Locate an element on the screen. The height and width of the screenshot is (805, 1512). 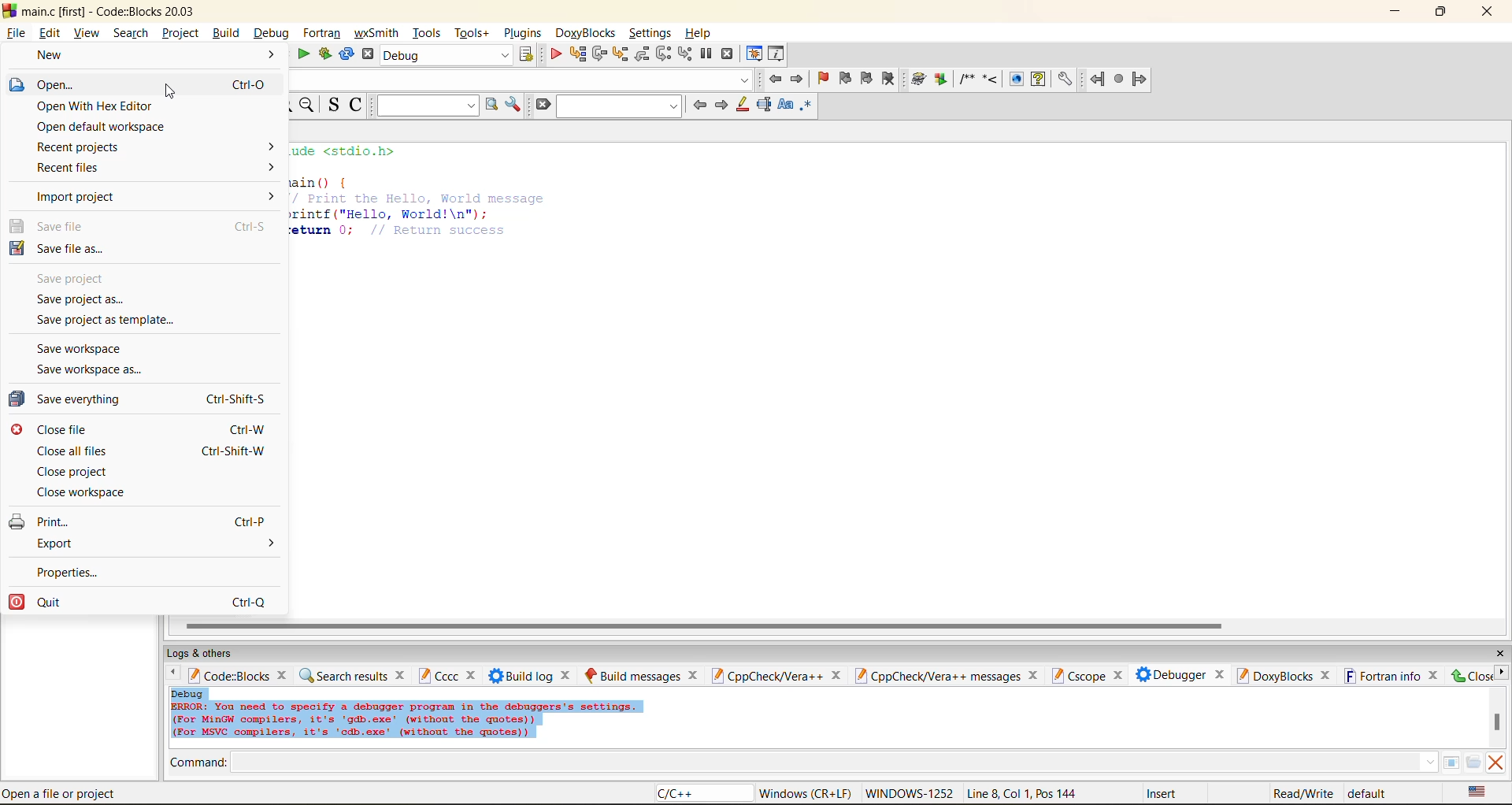
cccc is located at coordinates (438, 675).